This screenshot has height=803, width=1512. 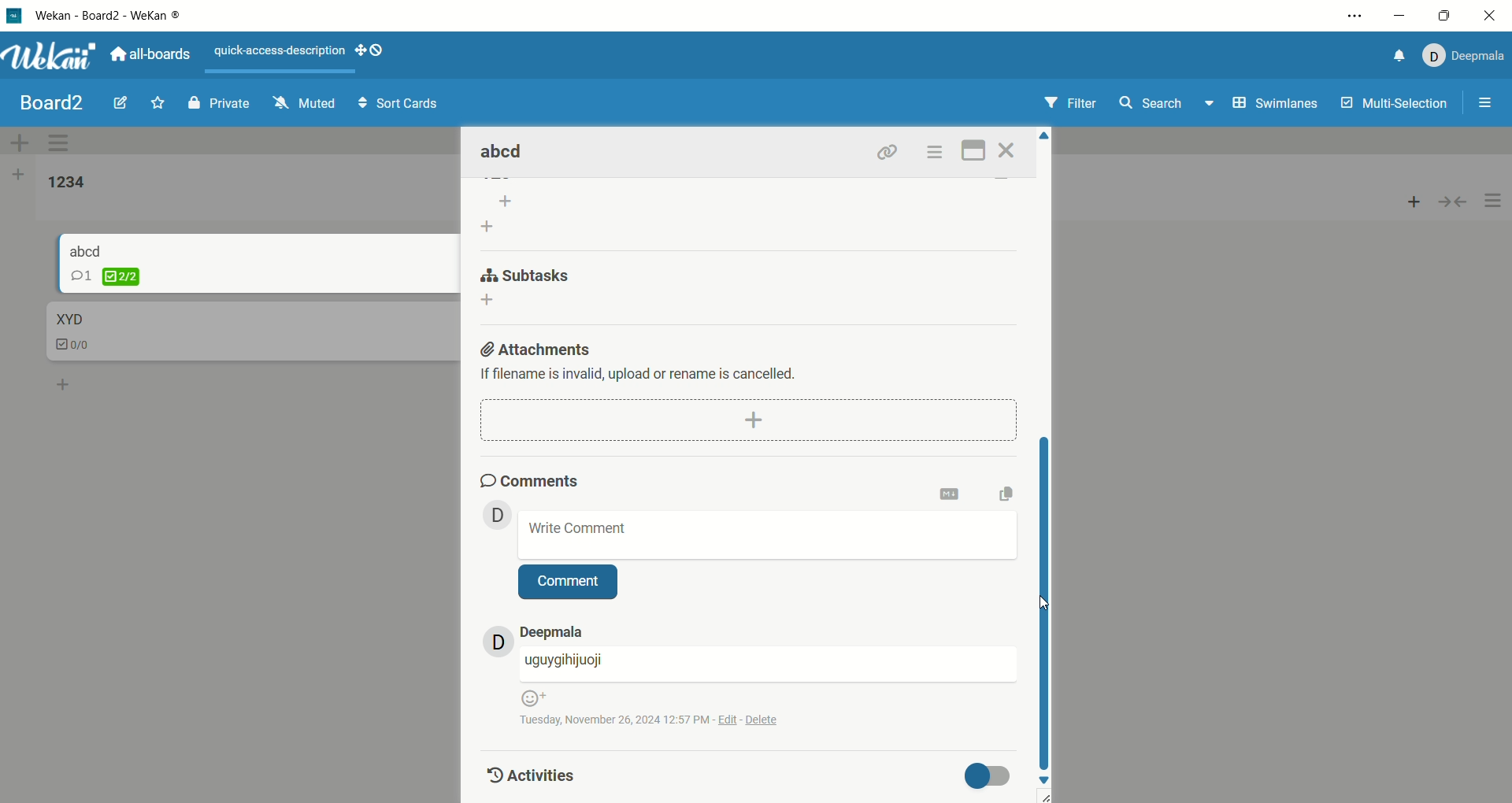 I want to click on down, so click(x=1046, y=781).